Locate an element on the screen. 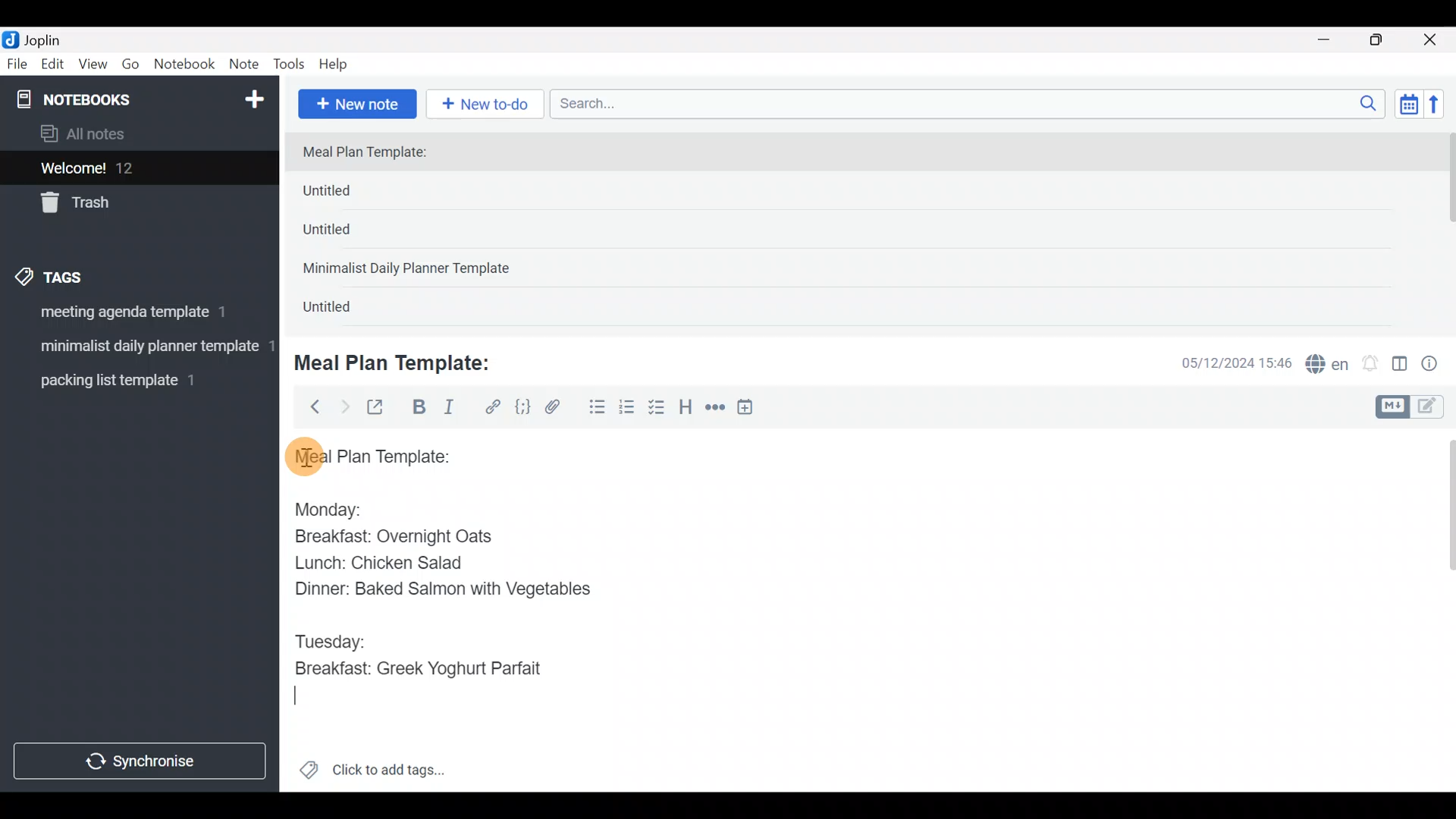  New to-do is located at coordinates (488, 105).